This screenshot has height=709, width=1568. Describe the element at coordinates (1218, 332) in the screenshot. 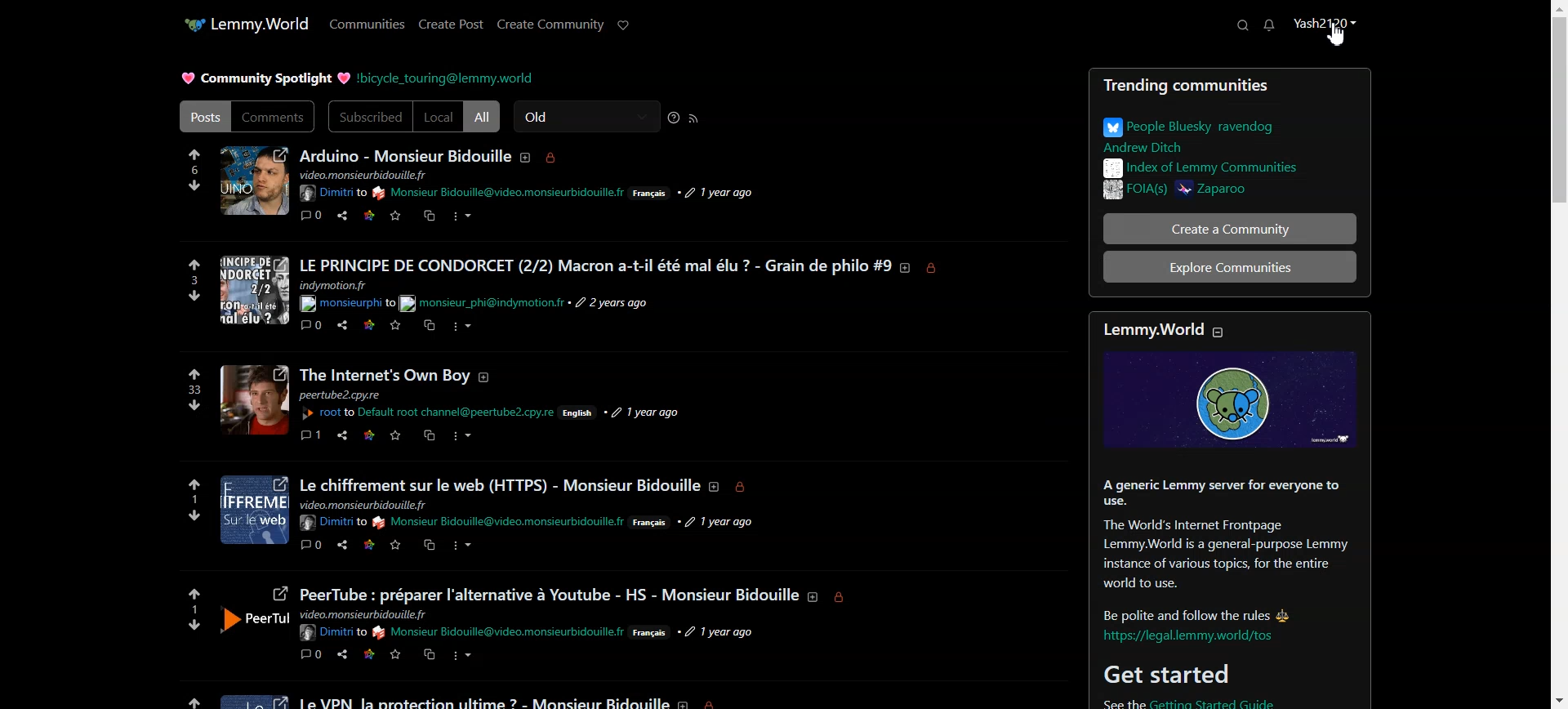

I see `Collapse` at that location.